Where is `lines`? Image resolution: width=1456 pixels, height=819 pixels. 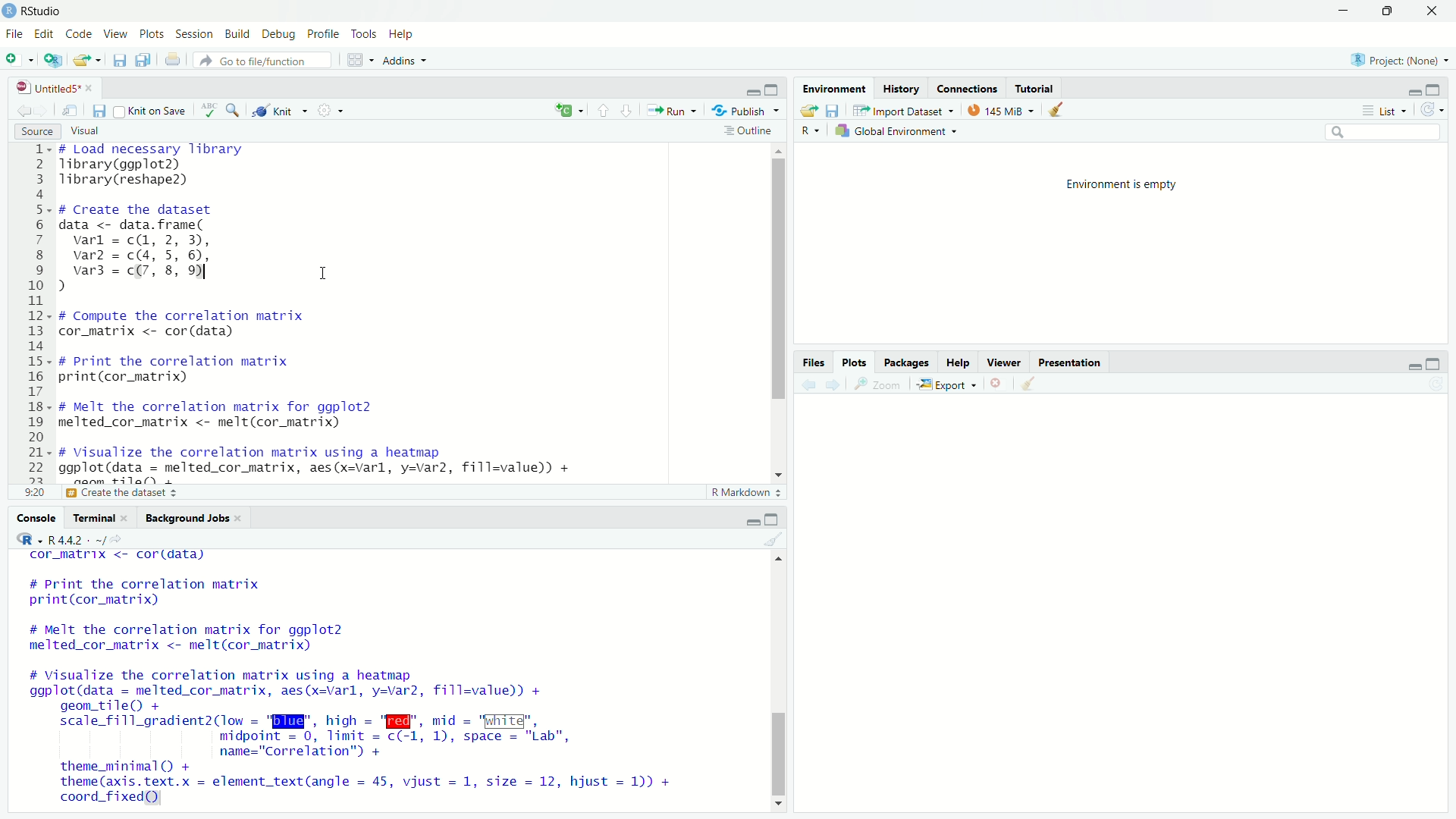
lines is located at coordinates (39, 321).